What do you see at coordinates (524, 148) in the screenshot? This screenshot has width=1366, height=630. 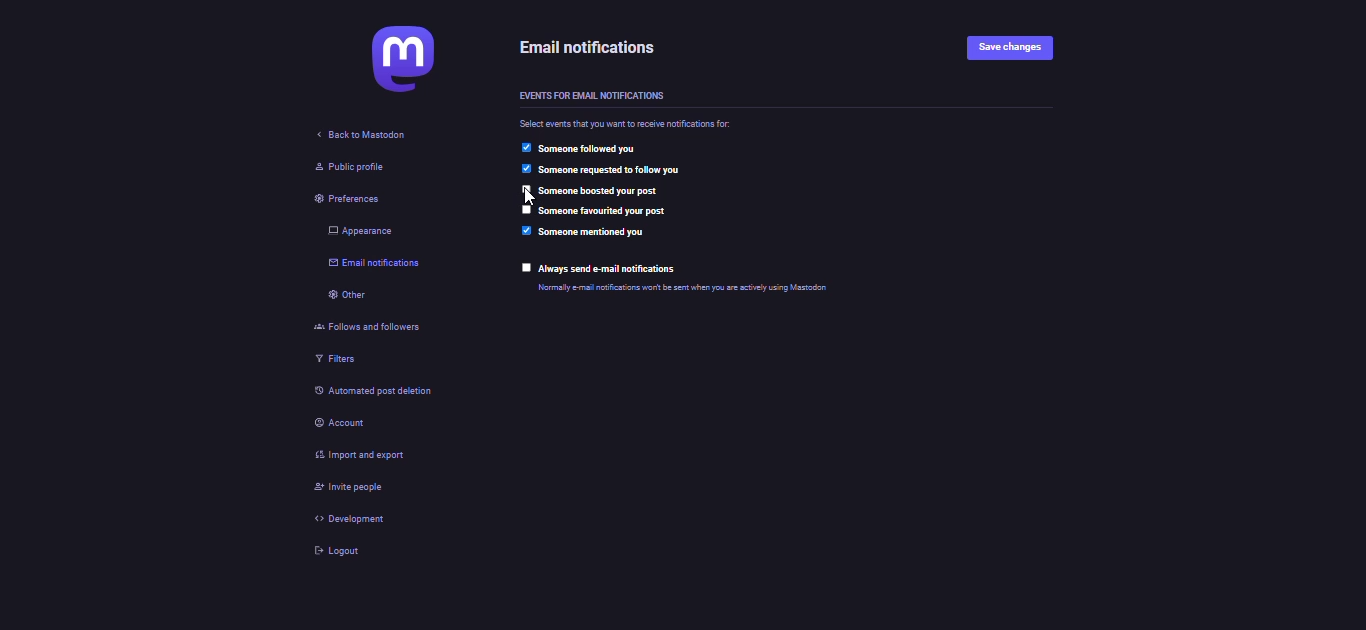 I see `enabled` at bounding box center [524, 148].